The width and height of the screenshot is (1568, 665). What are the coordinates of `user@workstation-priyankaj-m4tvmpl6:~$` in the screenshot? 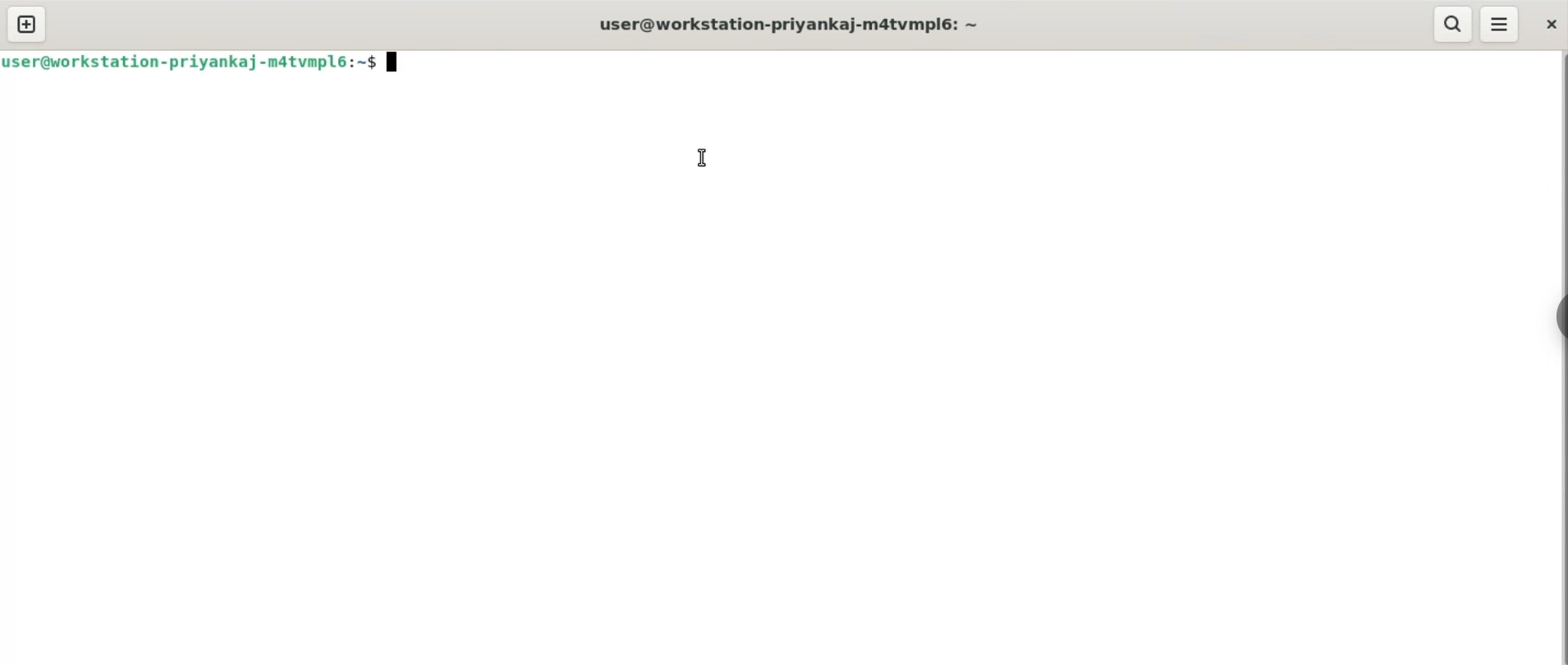 It's located at (190, 66).